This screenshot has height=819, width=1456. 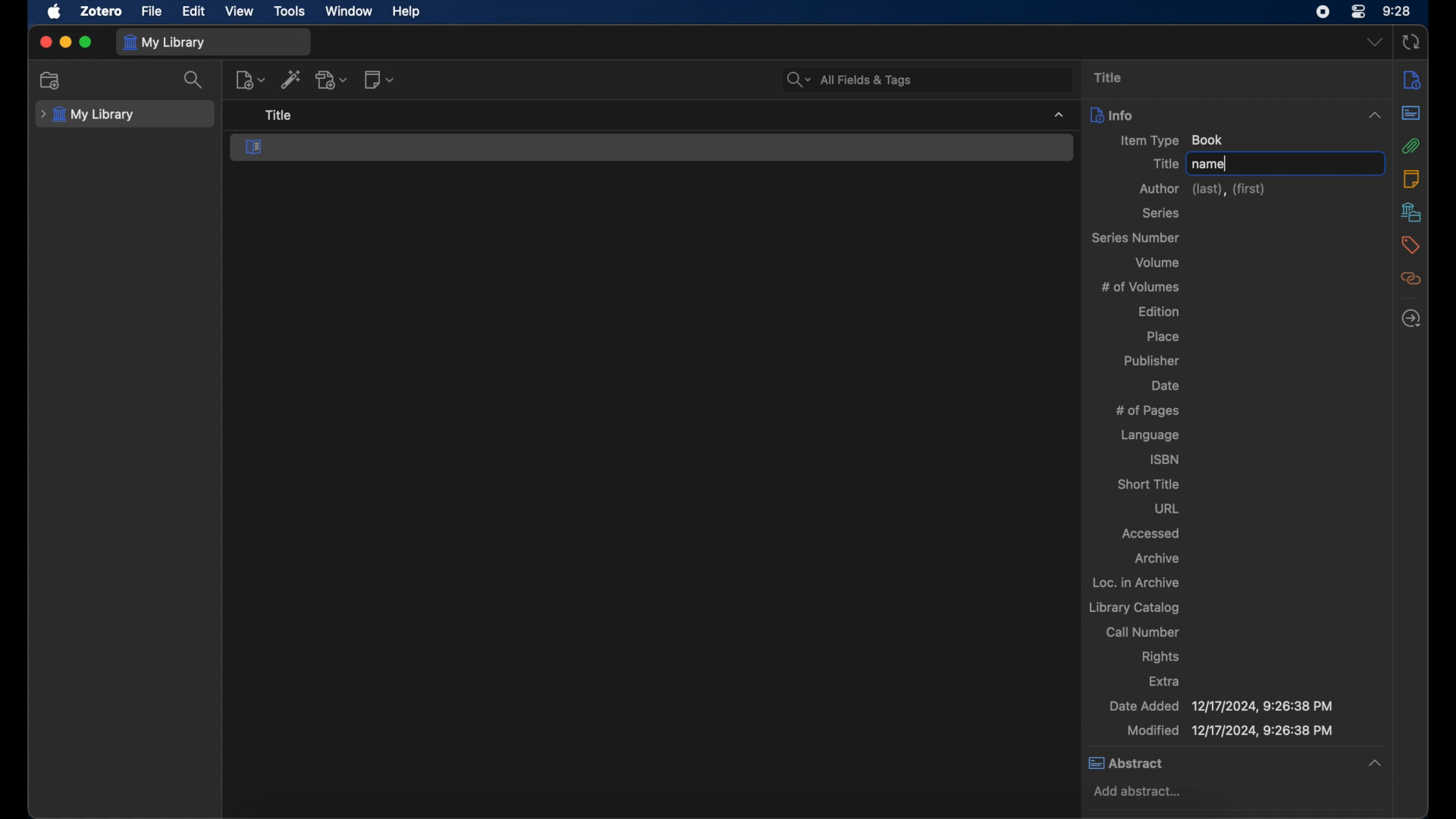 I want to click on screen recorder icon, so click(x=1323, y=12).